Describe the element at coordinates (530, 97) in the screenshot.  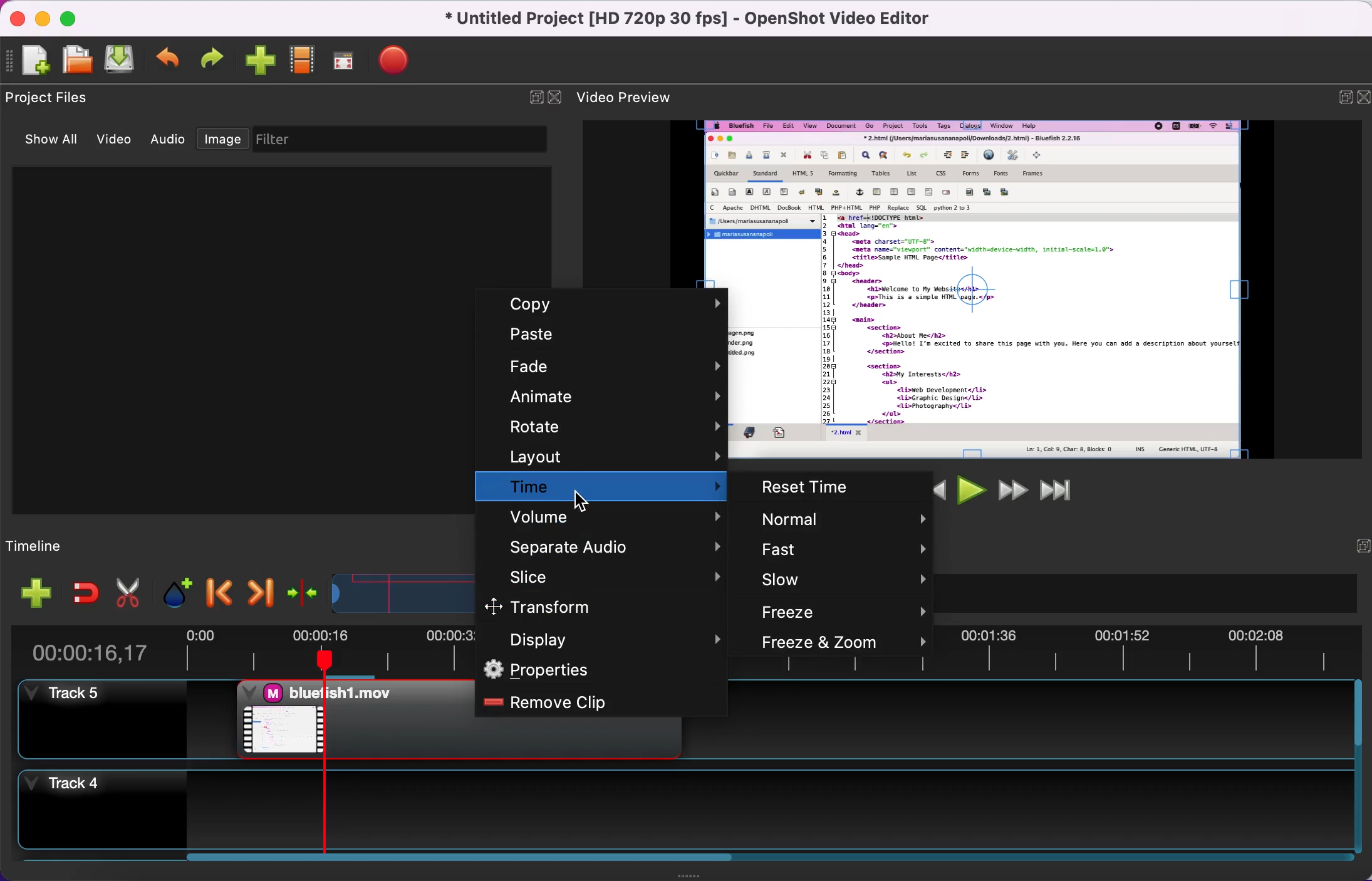
I see `expand/hide` at that location.